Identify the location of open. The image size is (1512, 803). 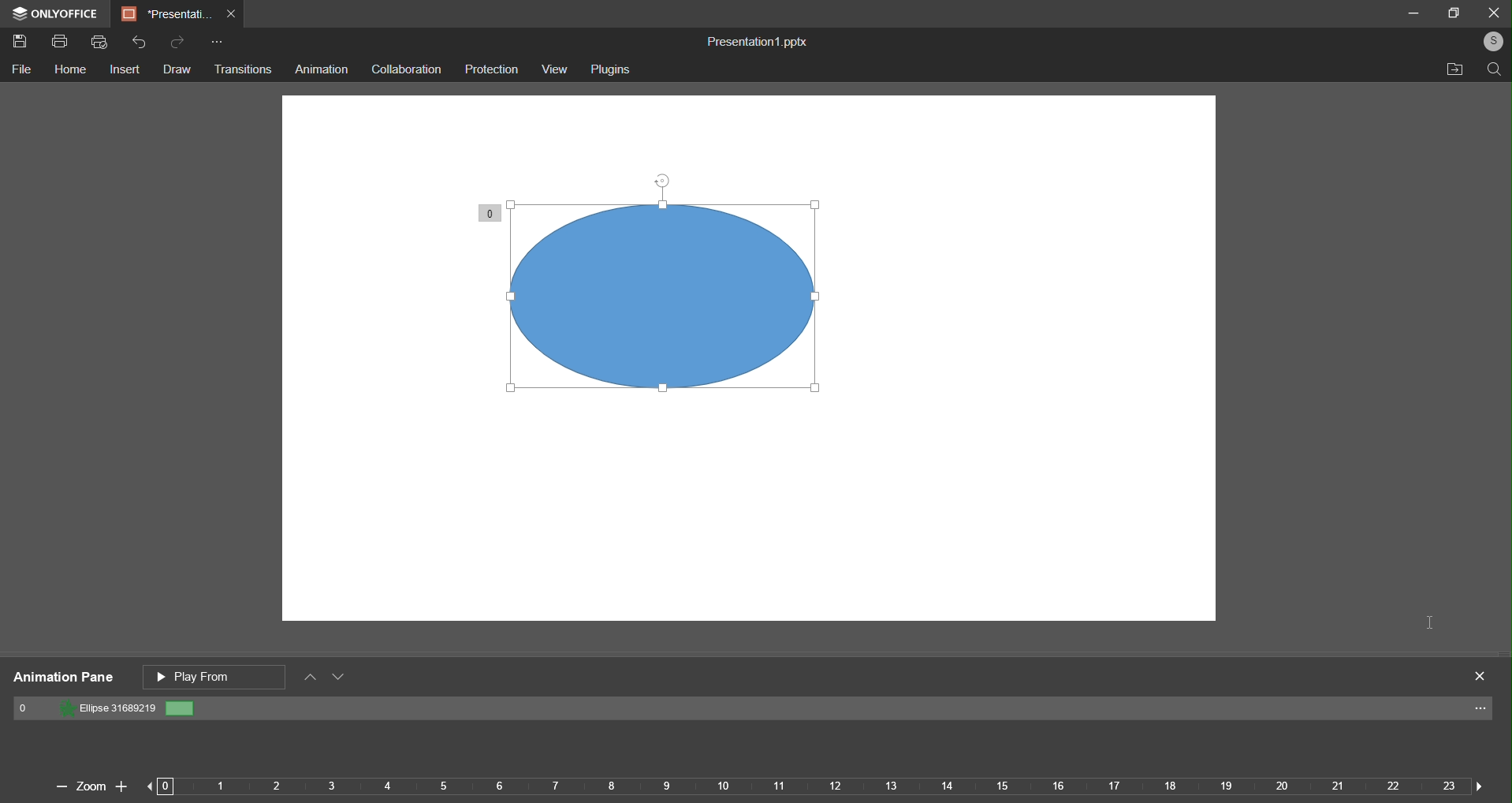
(1451, 70).